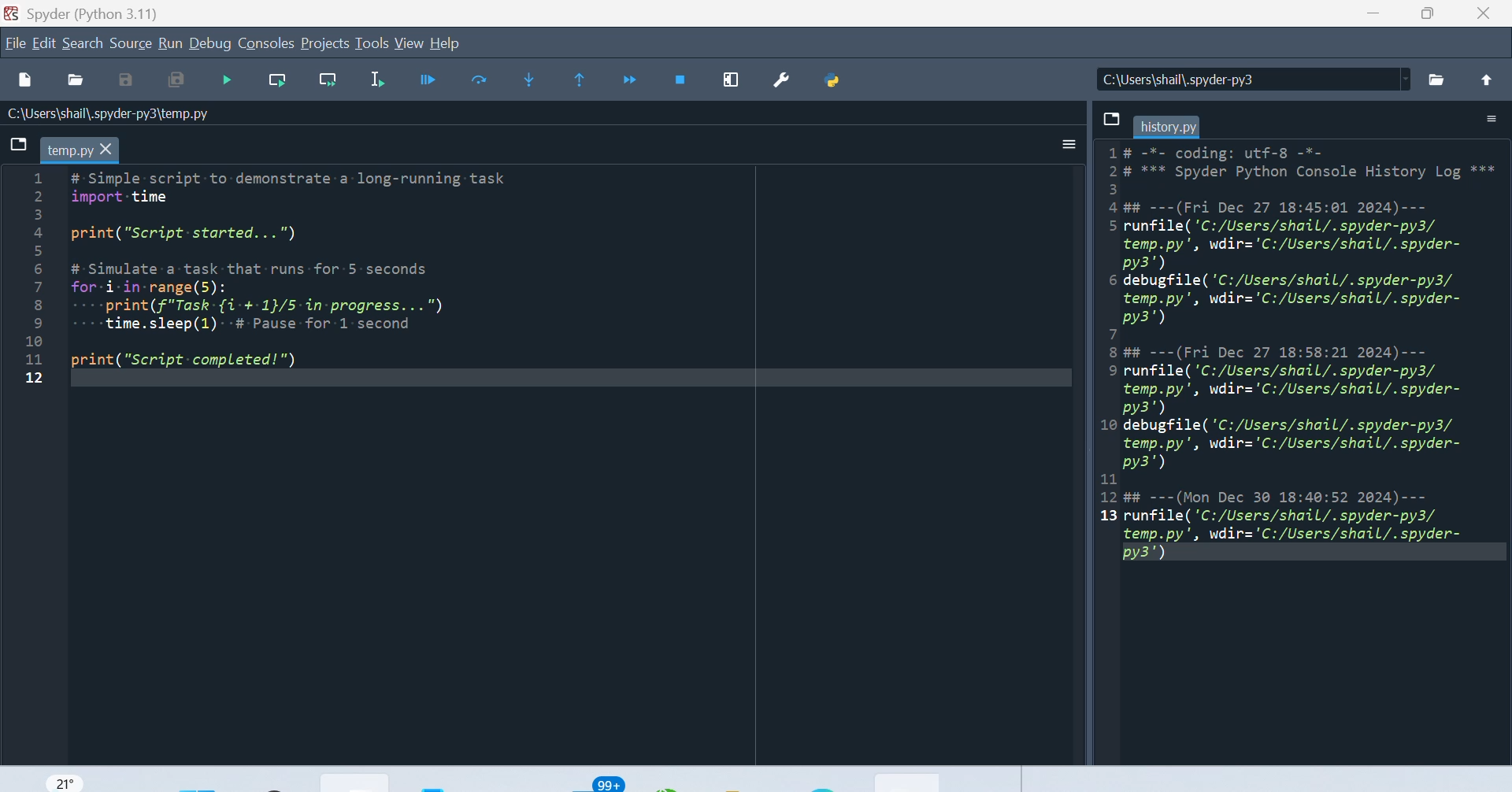 This screenshot has height=792, width=1512. I want to click on Source, so click(131, 43).